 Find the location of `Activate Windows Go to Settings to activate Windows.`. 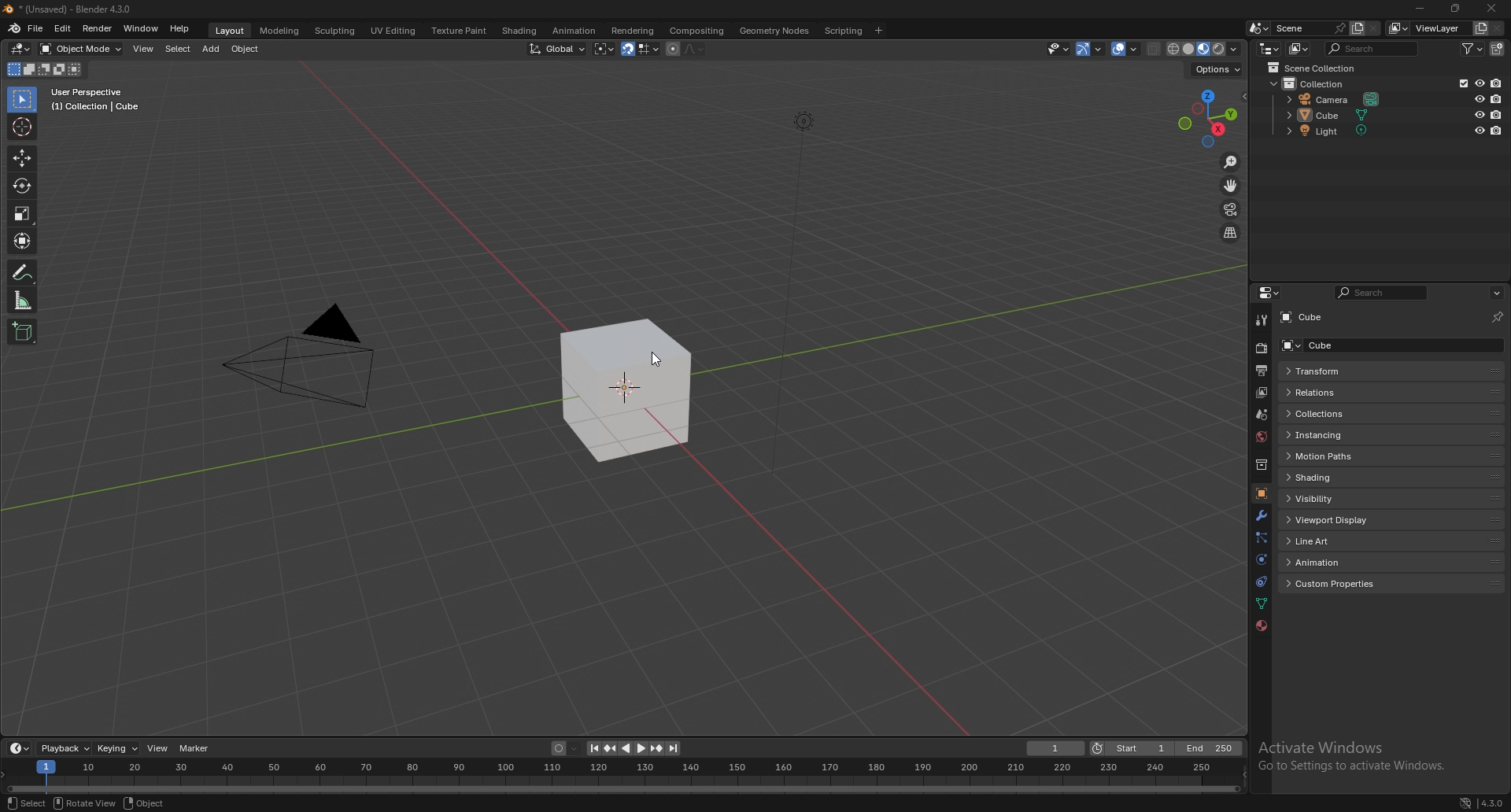

Activate Windows Go to Settings to activate Windows. is located at coordinates (1353, 760).